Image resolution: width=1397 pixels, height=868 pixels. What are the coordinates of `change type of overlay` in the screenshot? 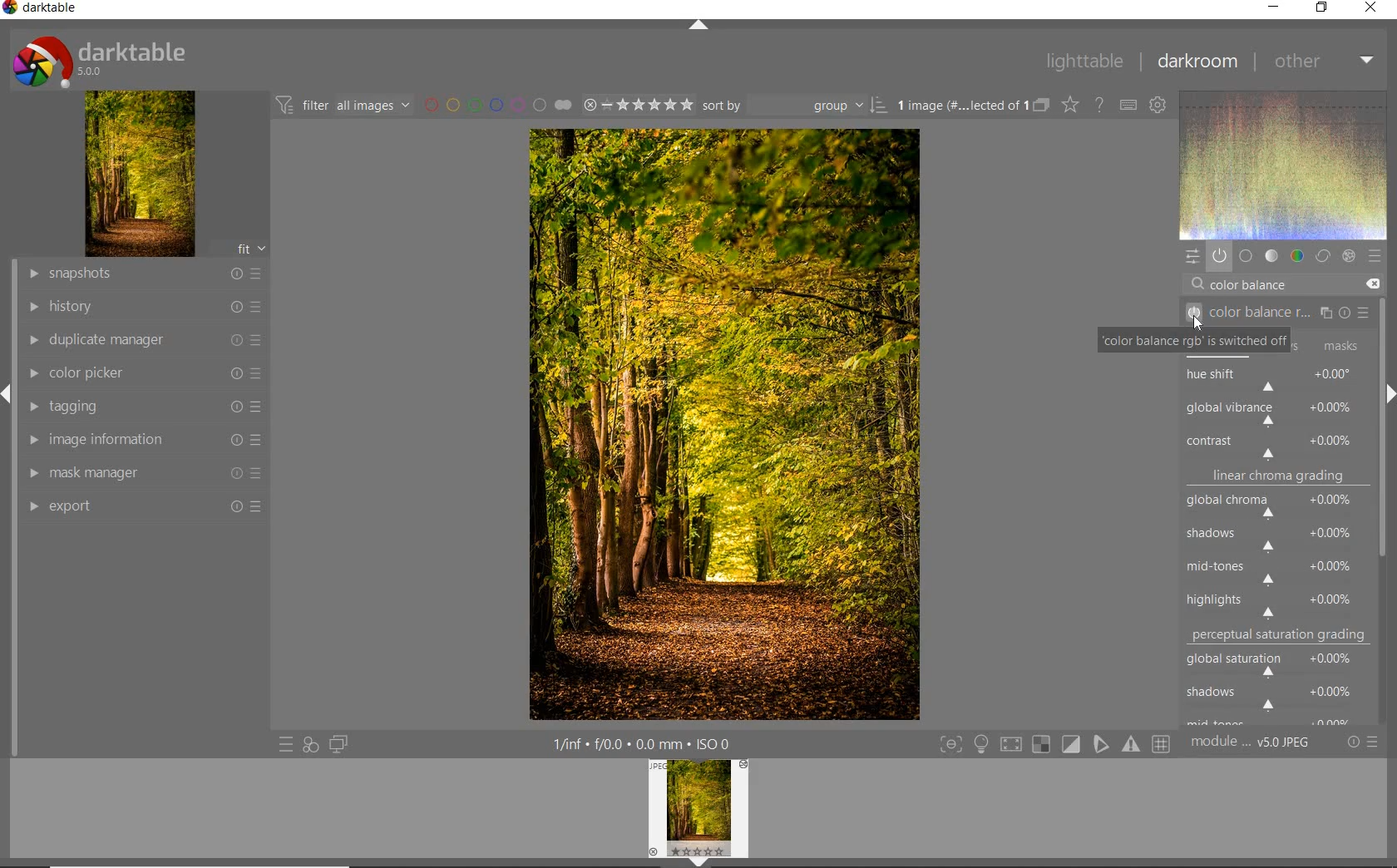 It's located at (1069, 106).